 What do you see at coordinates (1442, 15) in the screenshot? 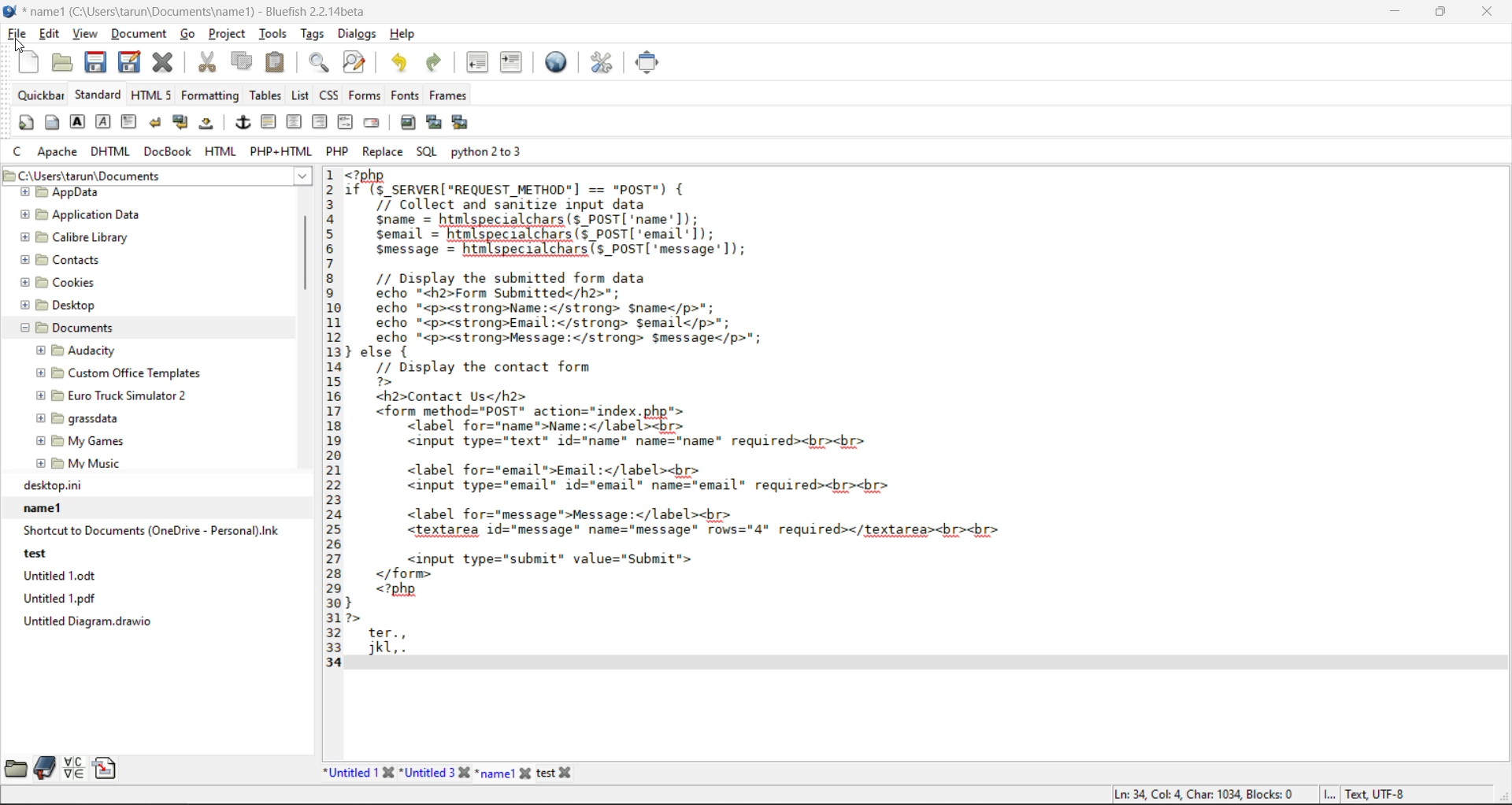
I see `maximize` at bounding box center [1442, 15].